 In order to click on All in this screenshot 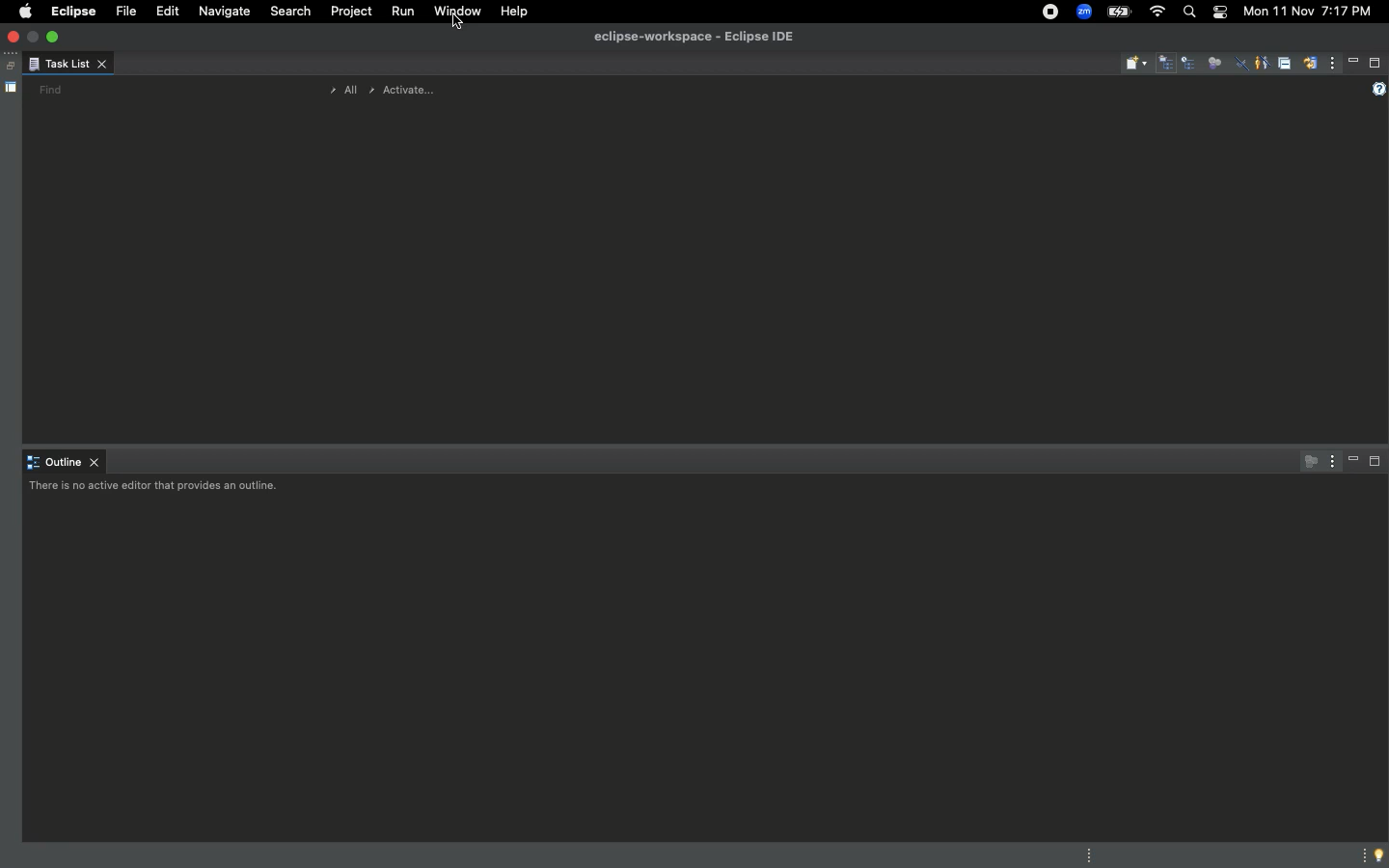, I will do `click(340, 91)`.